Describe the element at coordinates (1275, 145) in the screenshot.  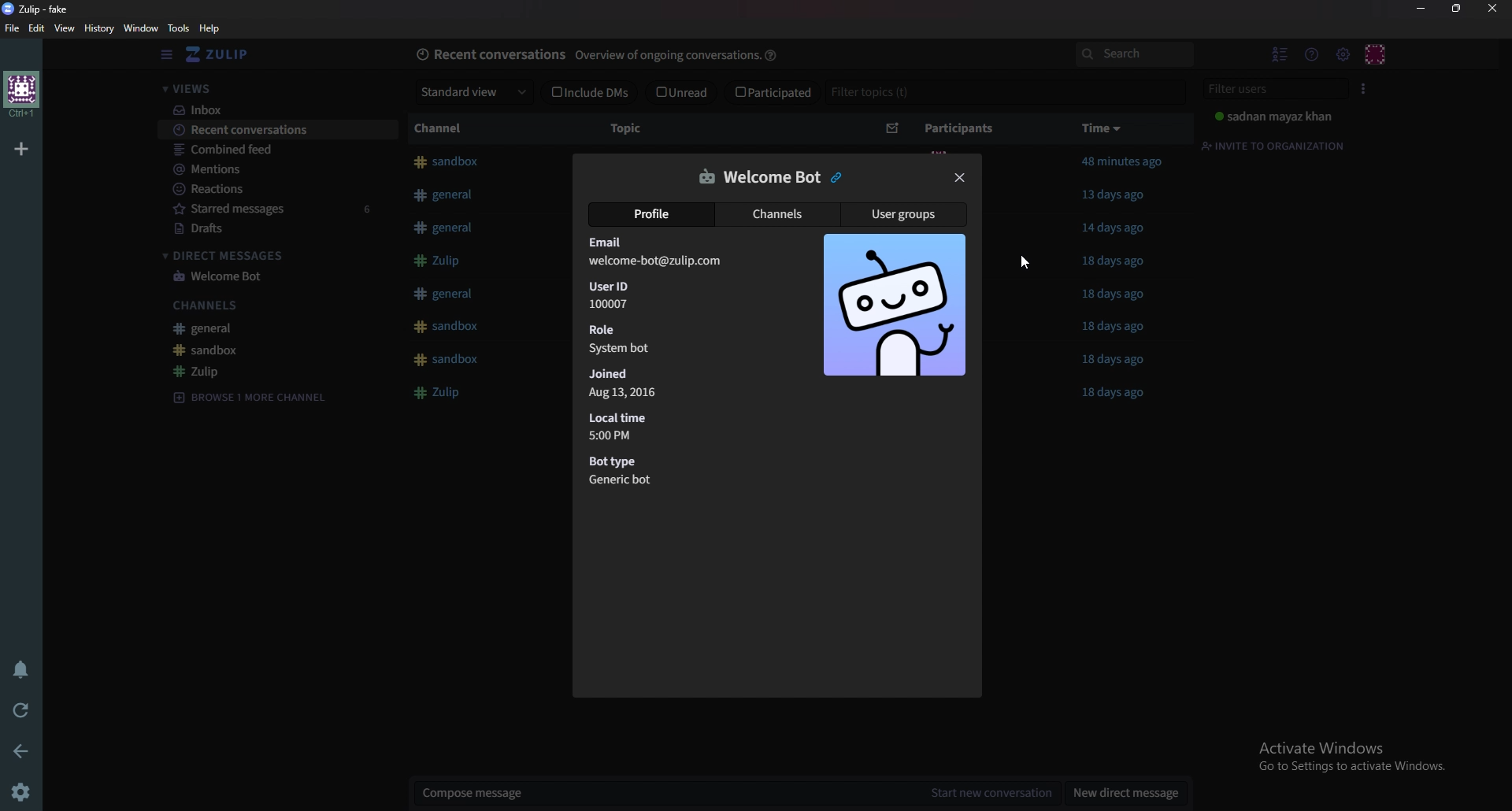
I see `Invite to organization` at that location.